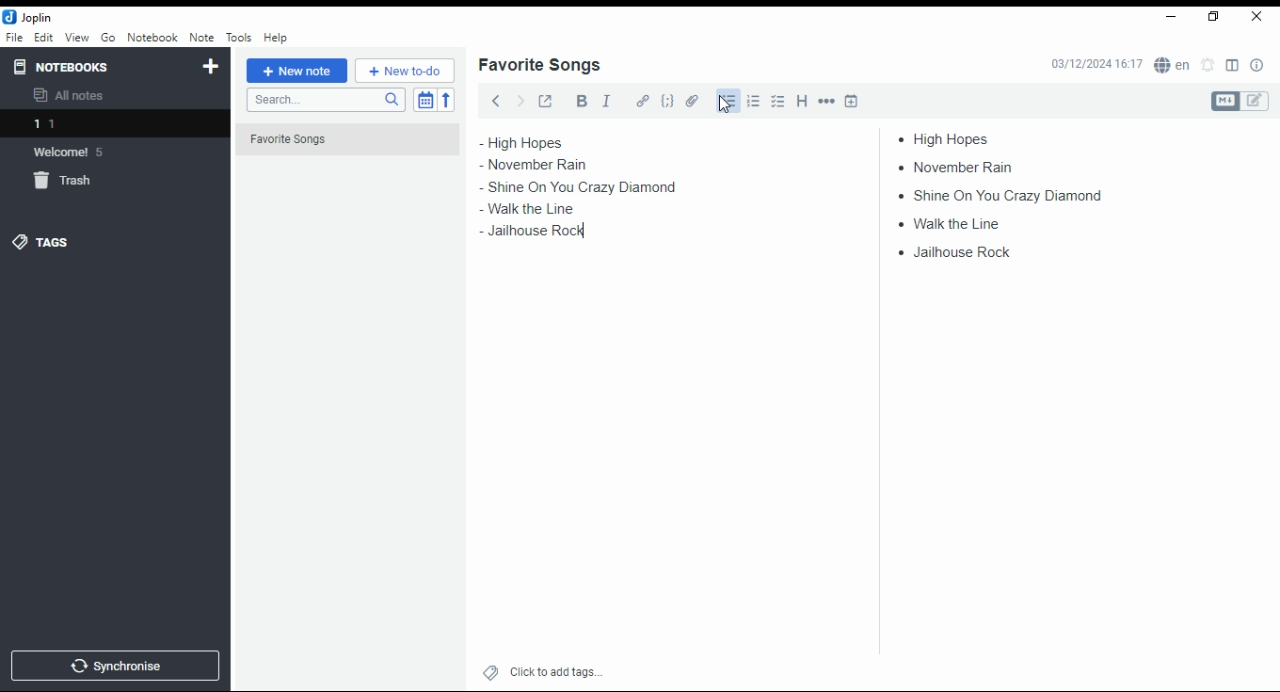 The width and height of the screenshot is (1280, 692). Describe the element at coordinates (446, 100) in the screenshot. I see `reverse sort order` at that location.